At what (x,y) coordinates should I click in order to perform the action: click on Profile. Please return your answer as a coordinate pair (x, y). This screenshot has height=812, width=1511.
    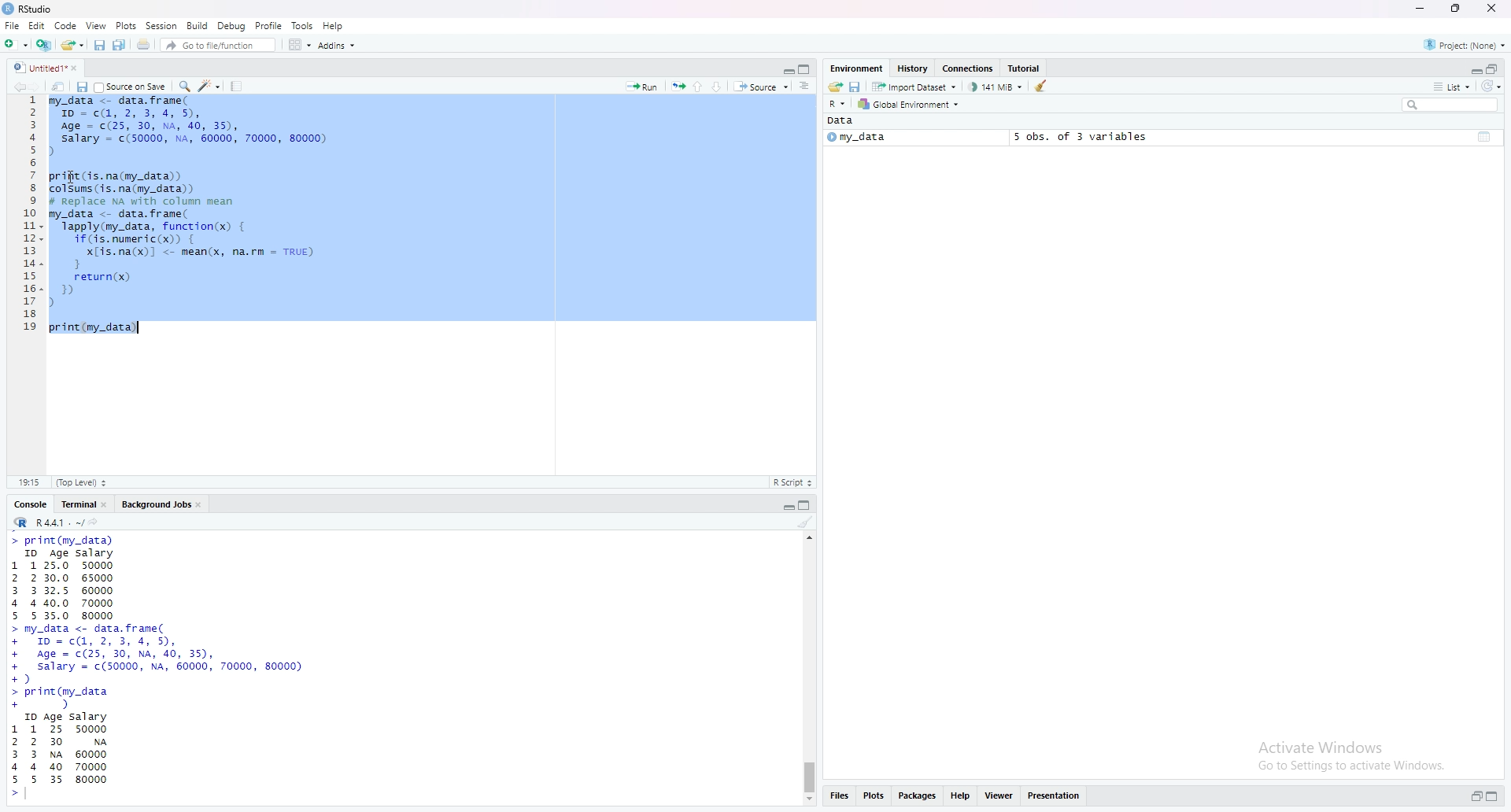
    Looking at the image, I should click on (270, 25).